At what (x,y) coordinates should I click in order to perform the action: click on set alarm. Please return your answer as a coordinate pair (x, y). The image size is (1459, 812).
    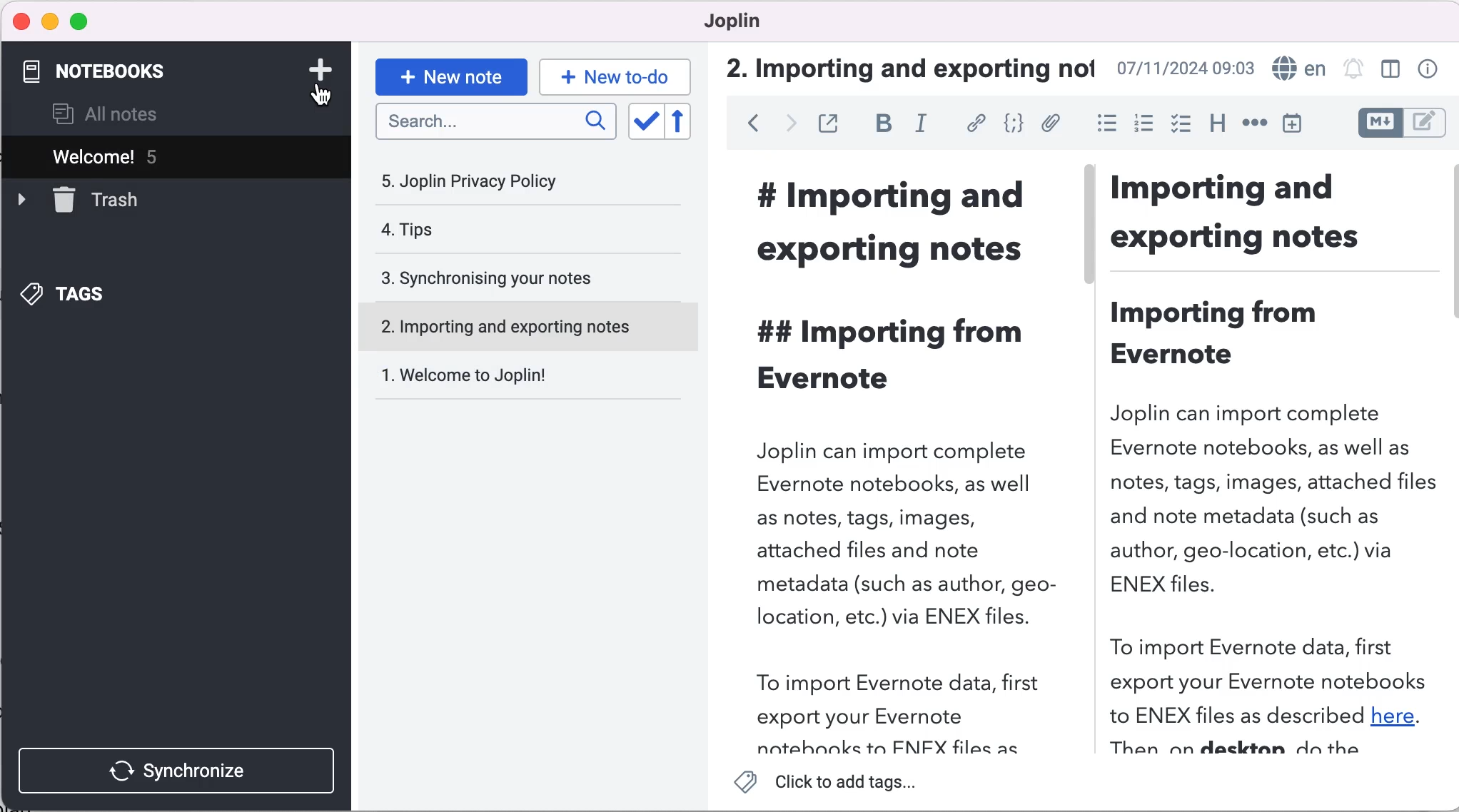
    Looking at the image, I should click on (1354, 71).